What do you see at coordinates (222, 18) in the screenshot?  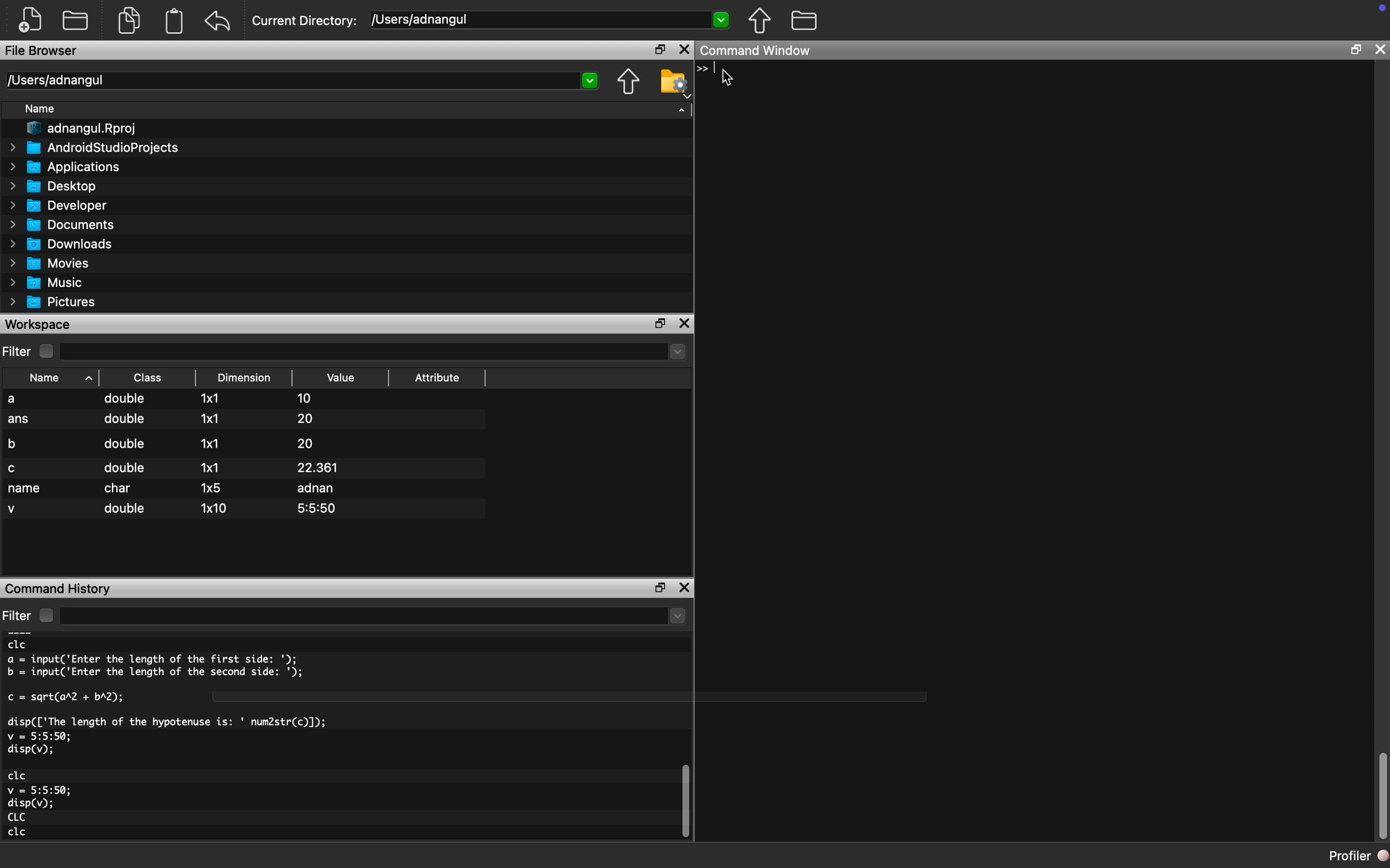 I see `Undo` at bounding box center [222, 18].